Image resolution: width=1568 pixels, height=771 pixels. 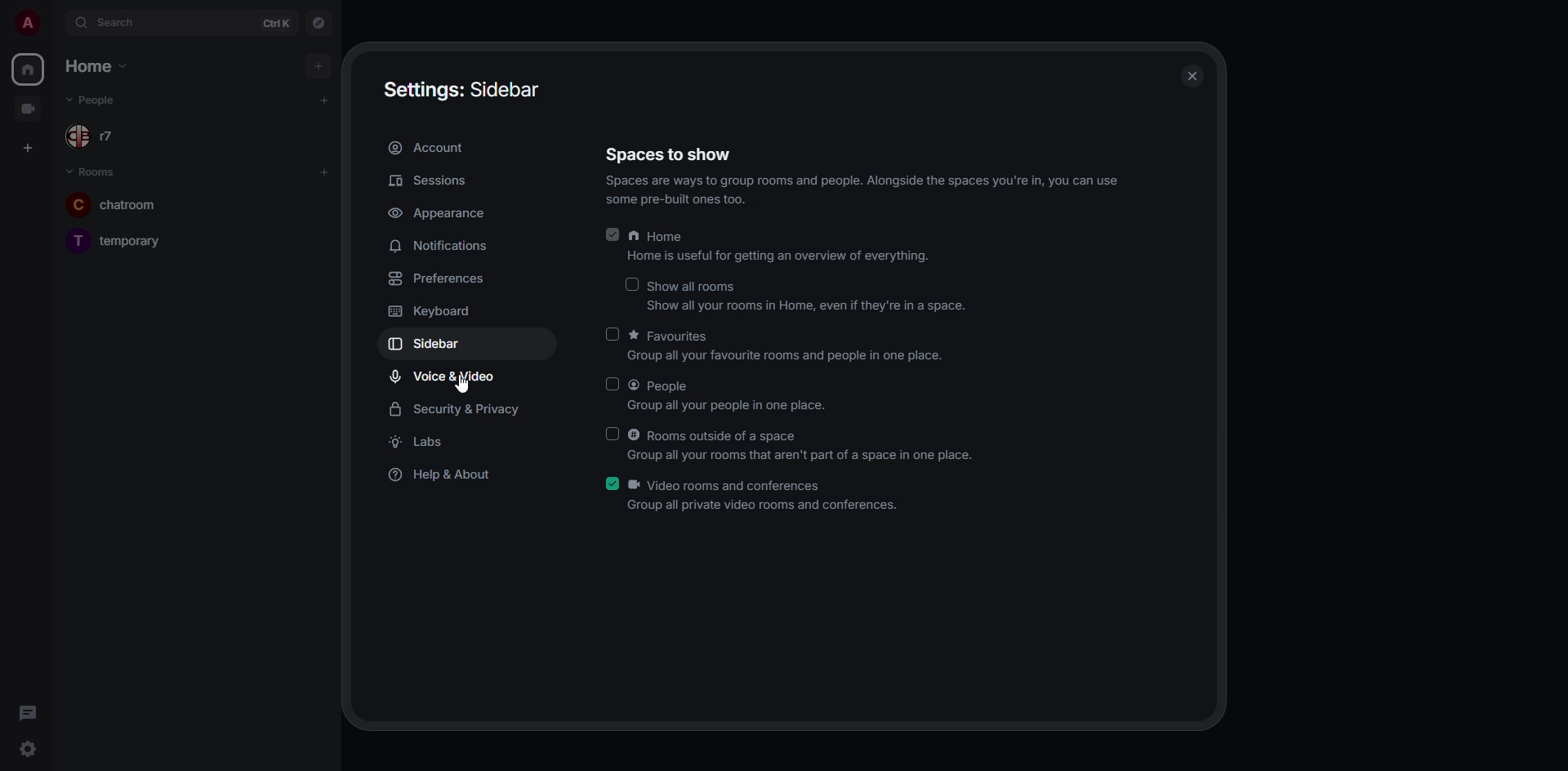 I want to click on enabled, so click(x=610, y=484).